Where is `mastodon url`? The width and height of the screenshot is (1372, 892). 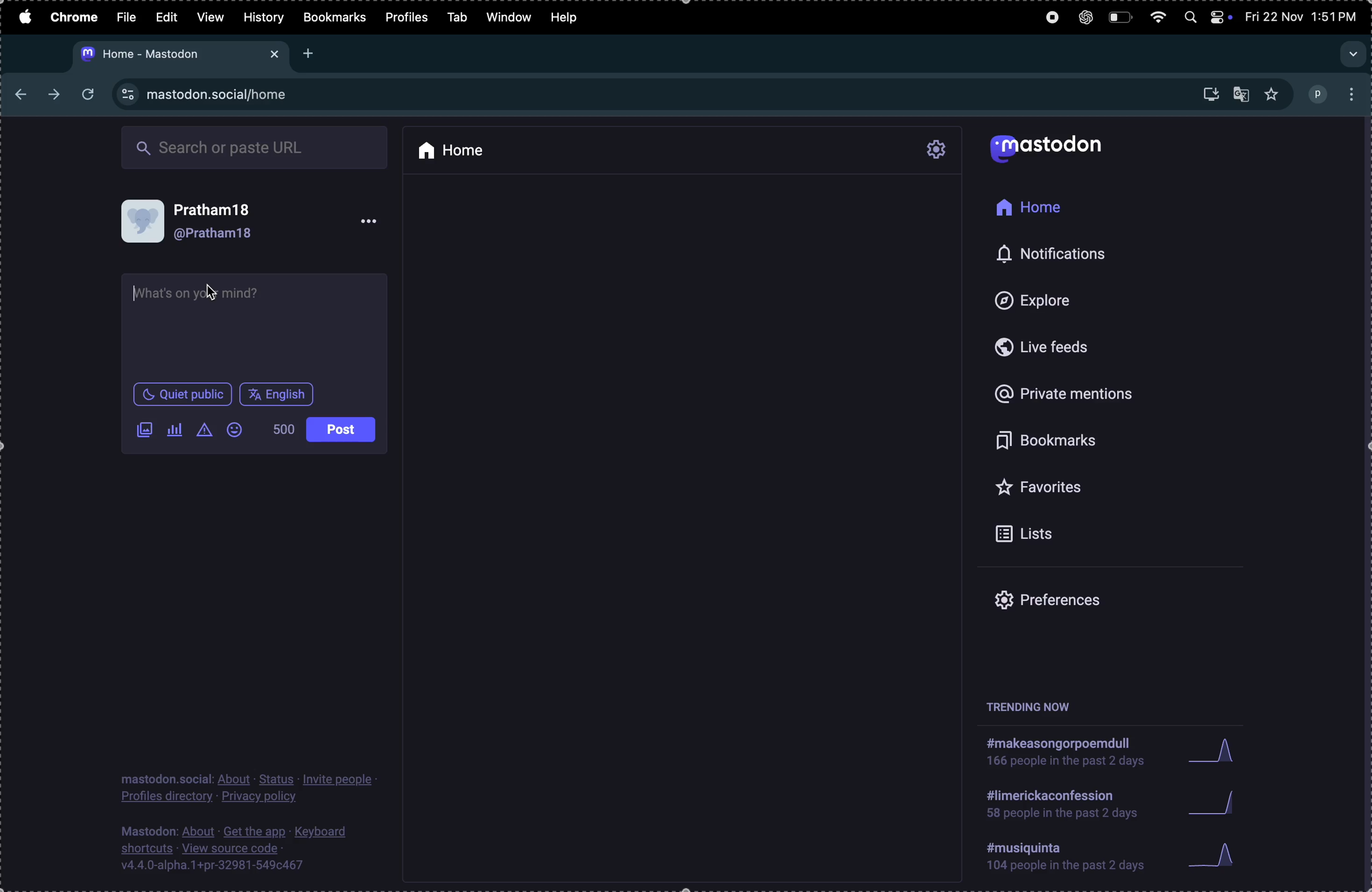
mastodon url is located at coordinates (184, 54).